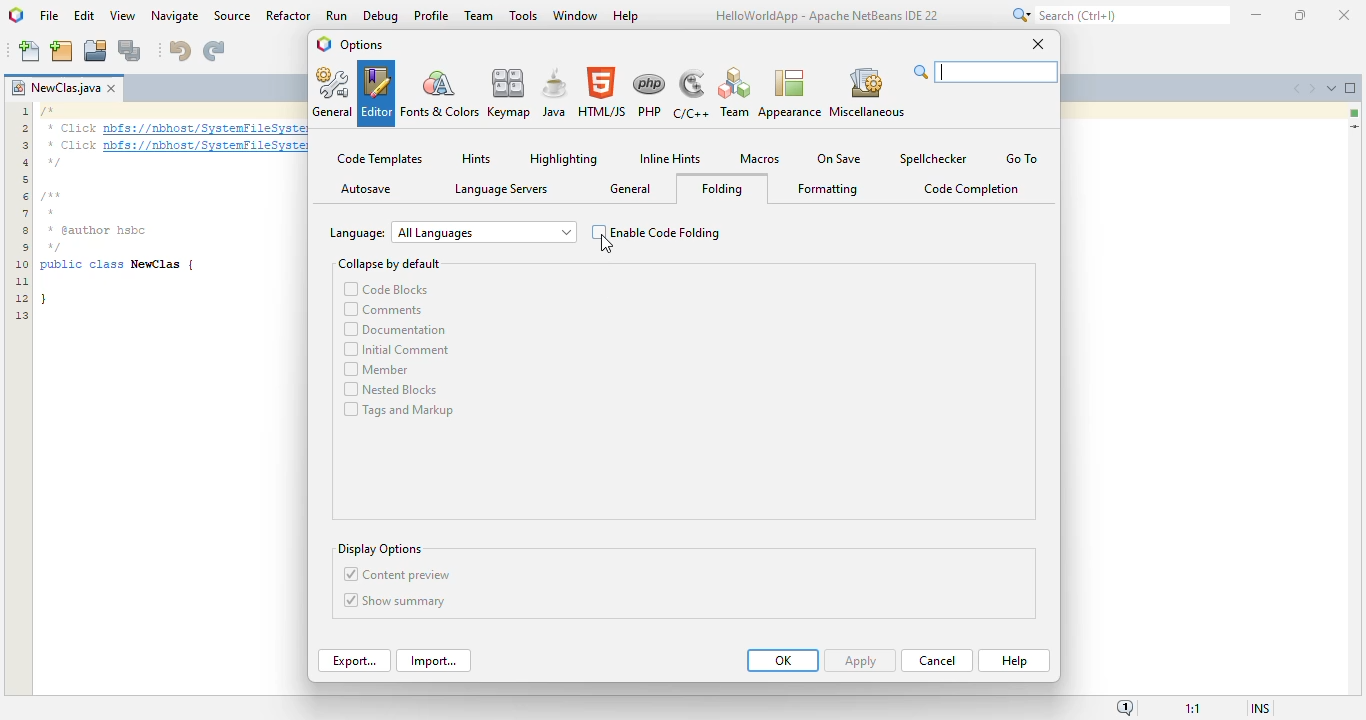 The image size is (1366, 720). Describe the element at coordinates (1344, 14) in the screenshot. I see `close` at that location.